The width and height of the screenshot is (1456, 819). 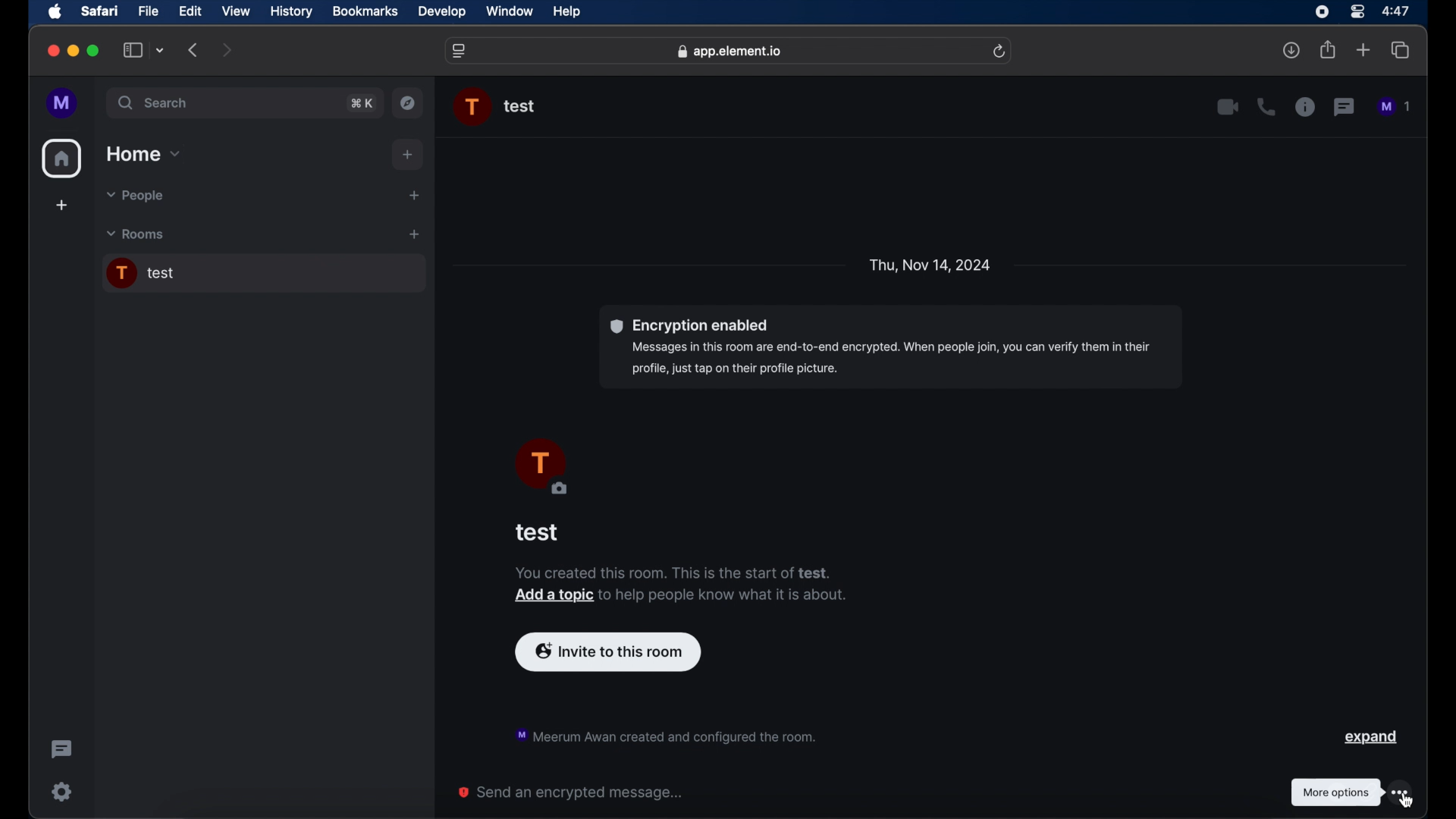 What do you see at coordinates (511, 12) in the screenshot?
I see `window` at bounding box center [511, 12].